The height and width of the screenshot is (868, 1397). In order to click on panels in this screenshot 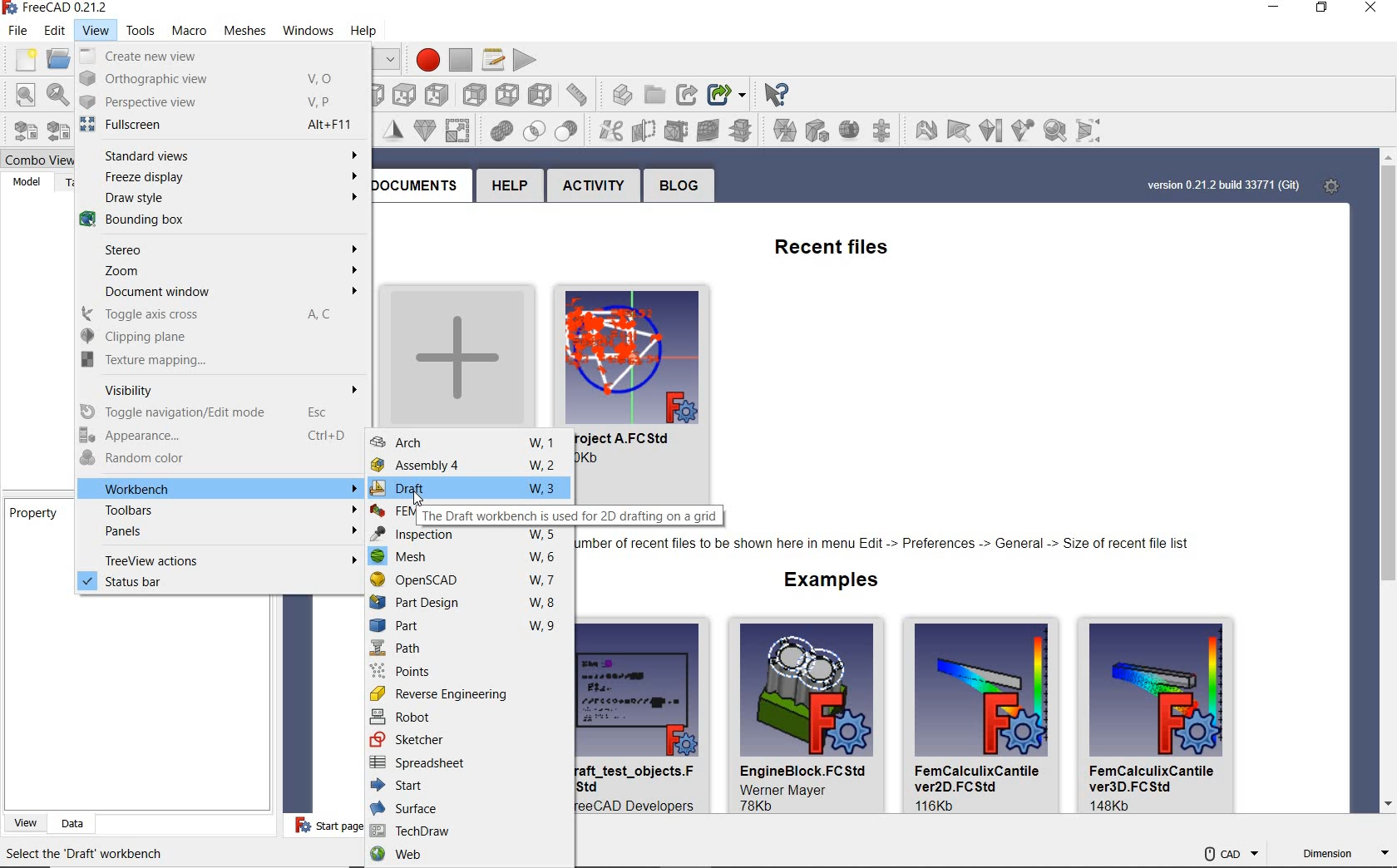, I will do `click(223, 533)`.